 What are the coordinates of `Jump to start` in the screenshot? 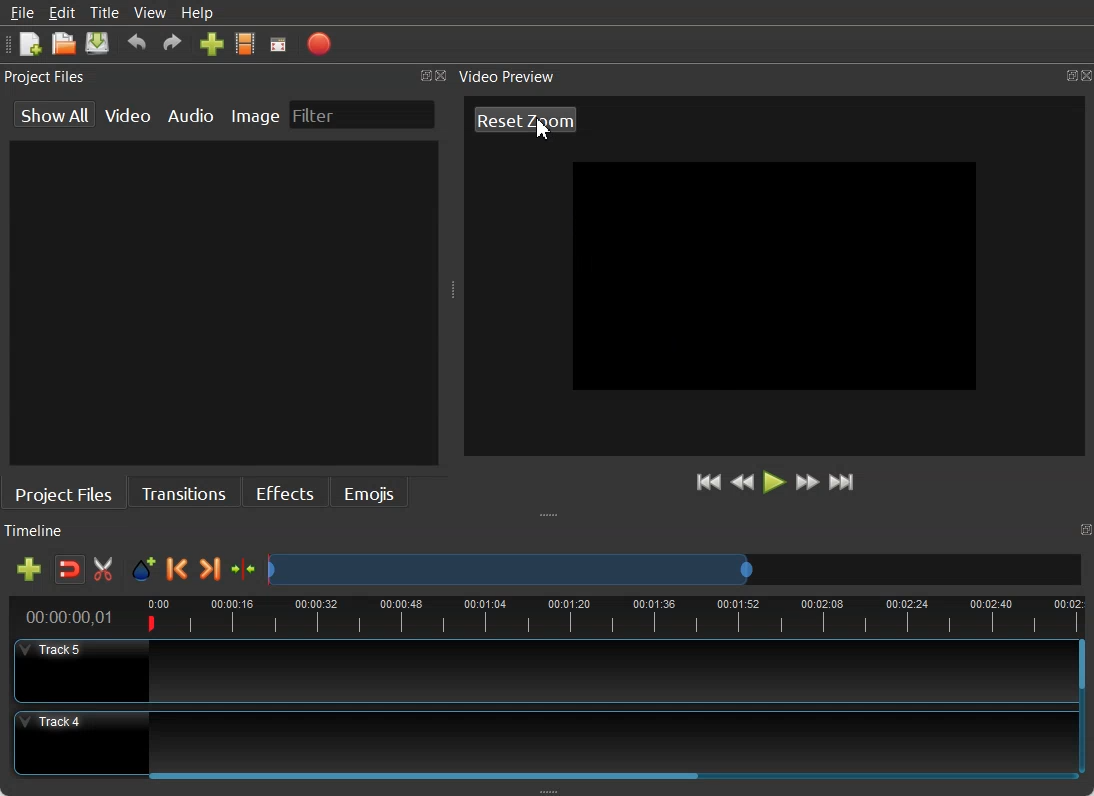 It's located at (708, 481).